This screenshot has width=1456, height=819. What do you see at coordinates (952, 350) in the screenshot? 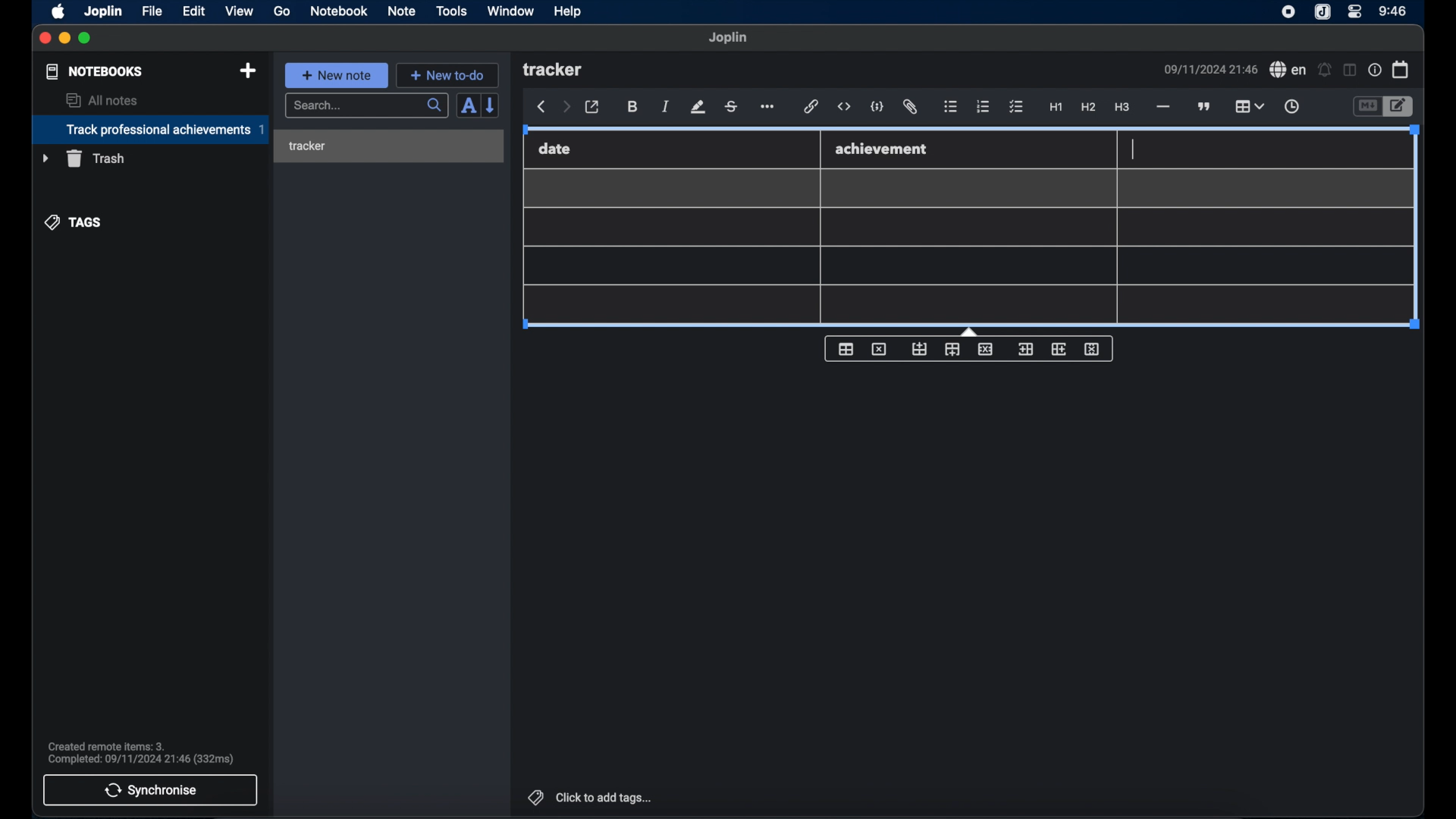
I see `insert row after` at bounding box center [952, 350].